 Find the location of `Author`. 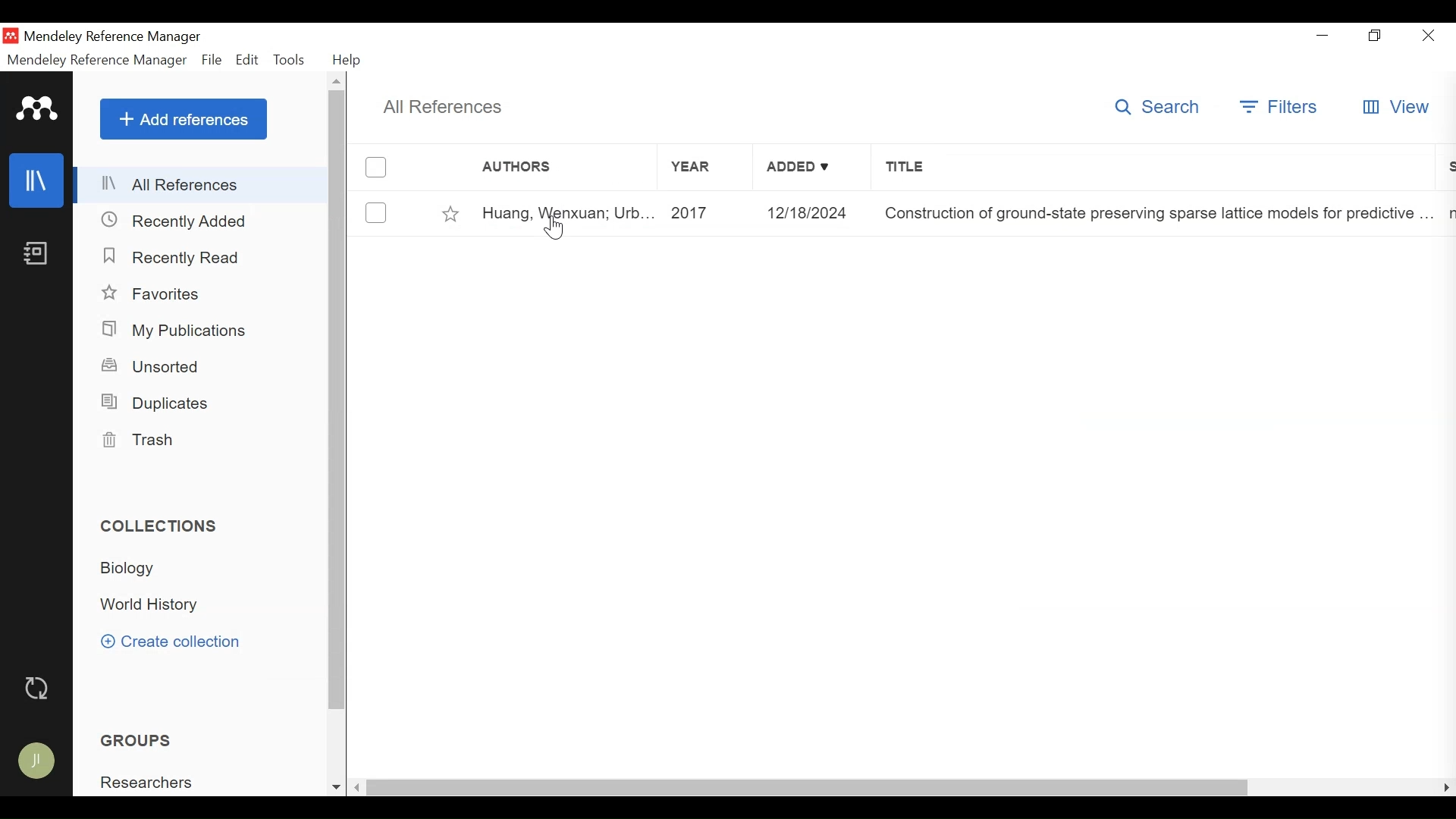

Author is located at coordinates (553, 167).